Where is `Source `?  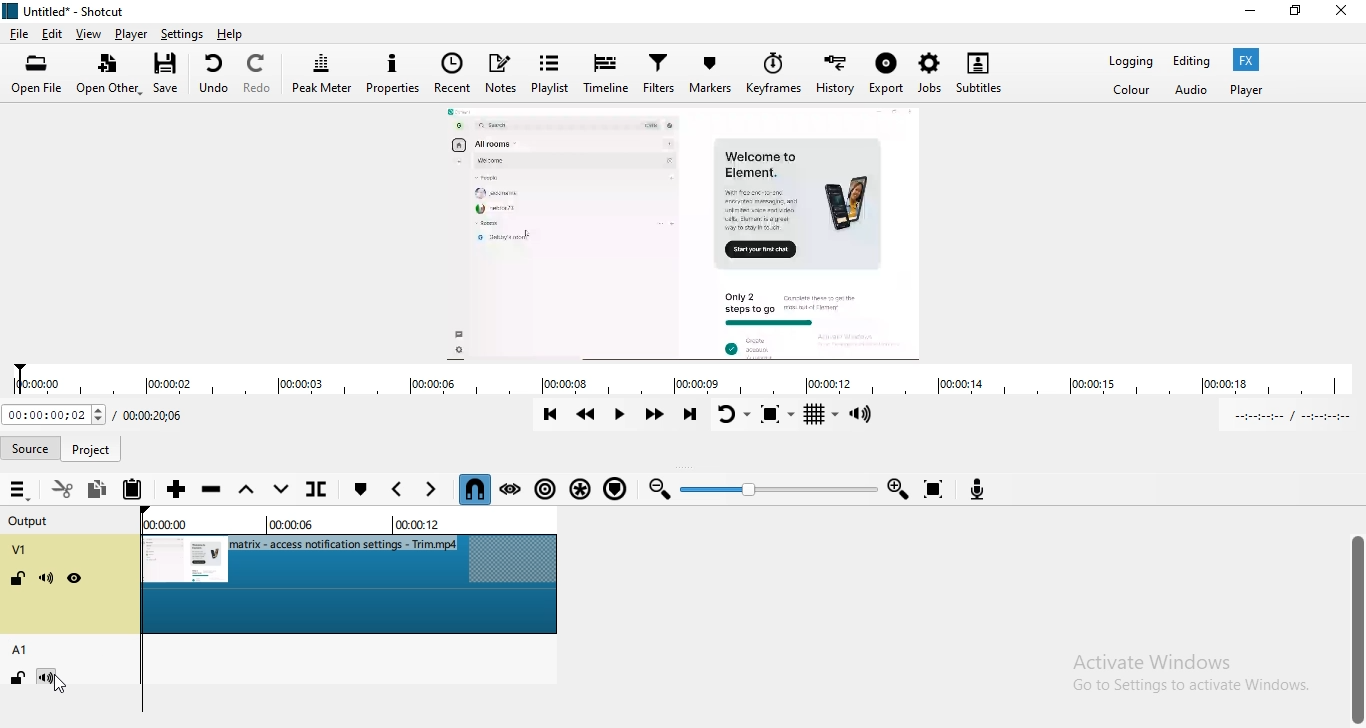
Source  is located at coordinates (32, 447).